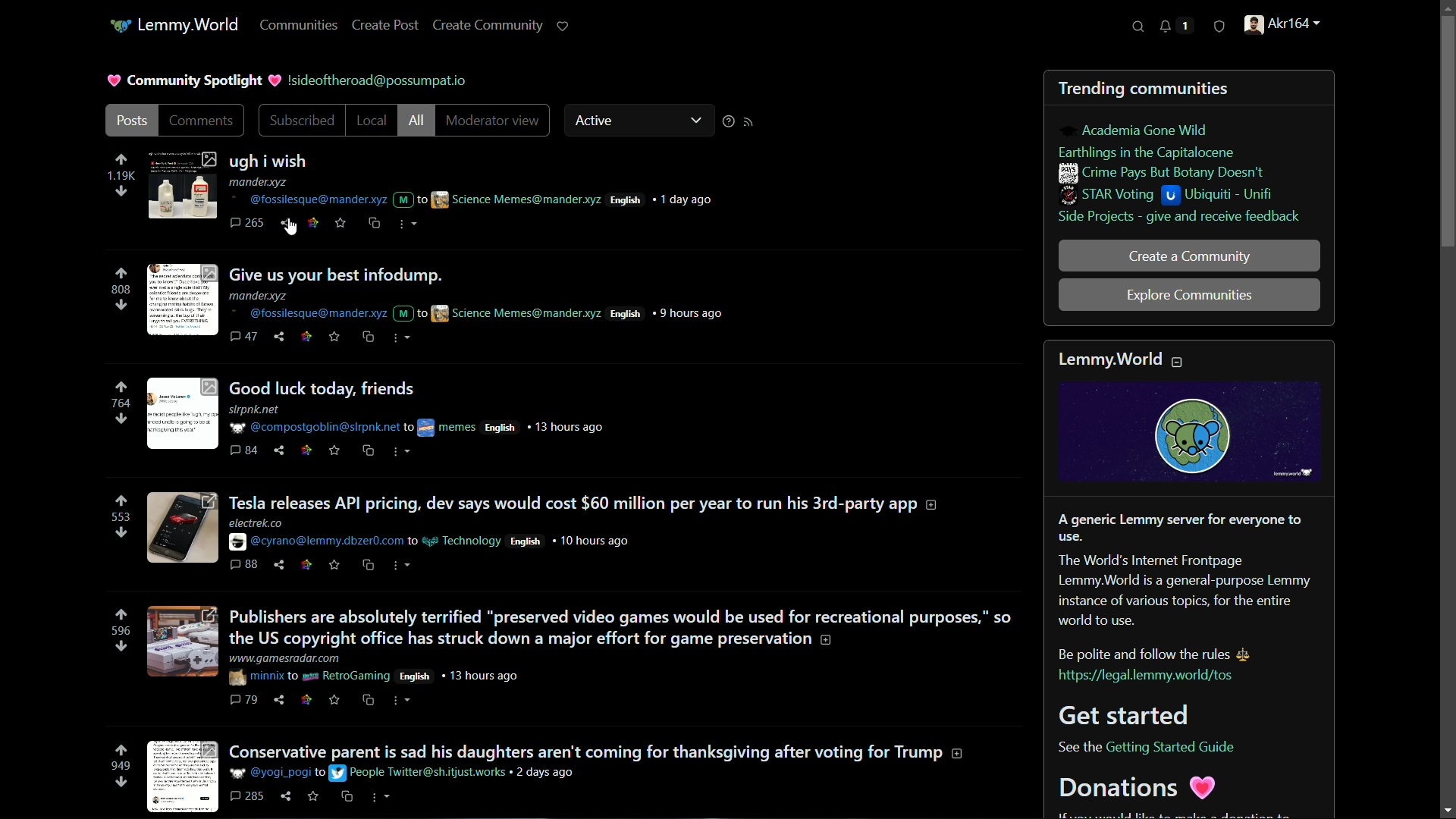 The image size is (1456, 819). I want to click on electrek.co, so click(256, 523).